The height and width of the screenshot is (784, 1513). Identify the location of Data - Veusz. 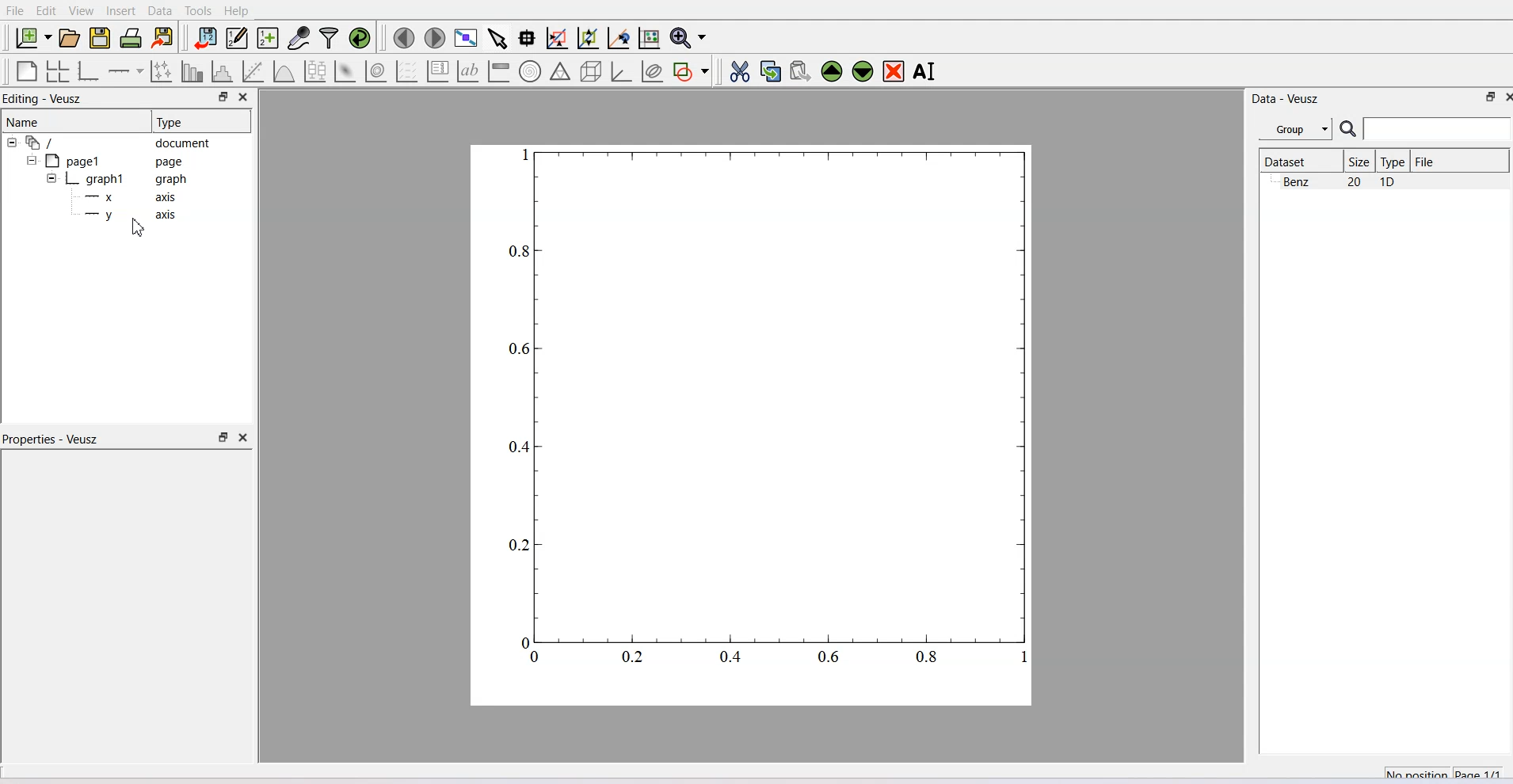
(1286, 100).